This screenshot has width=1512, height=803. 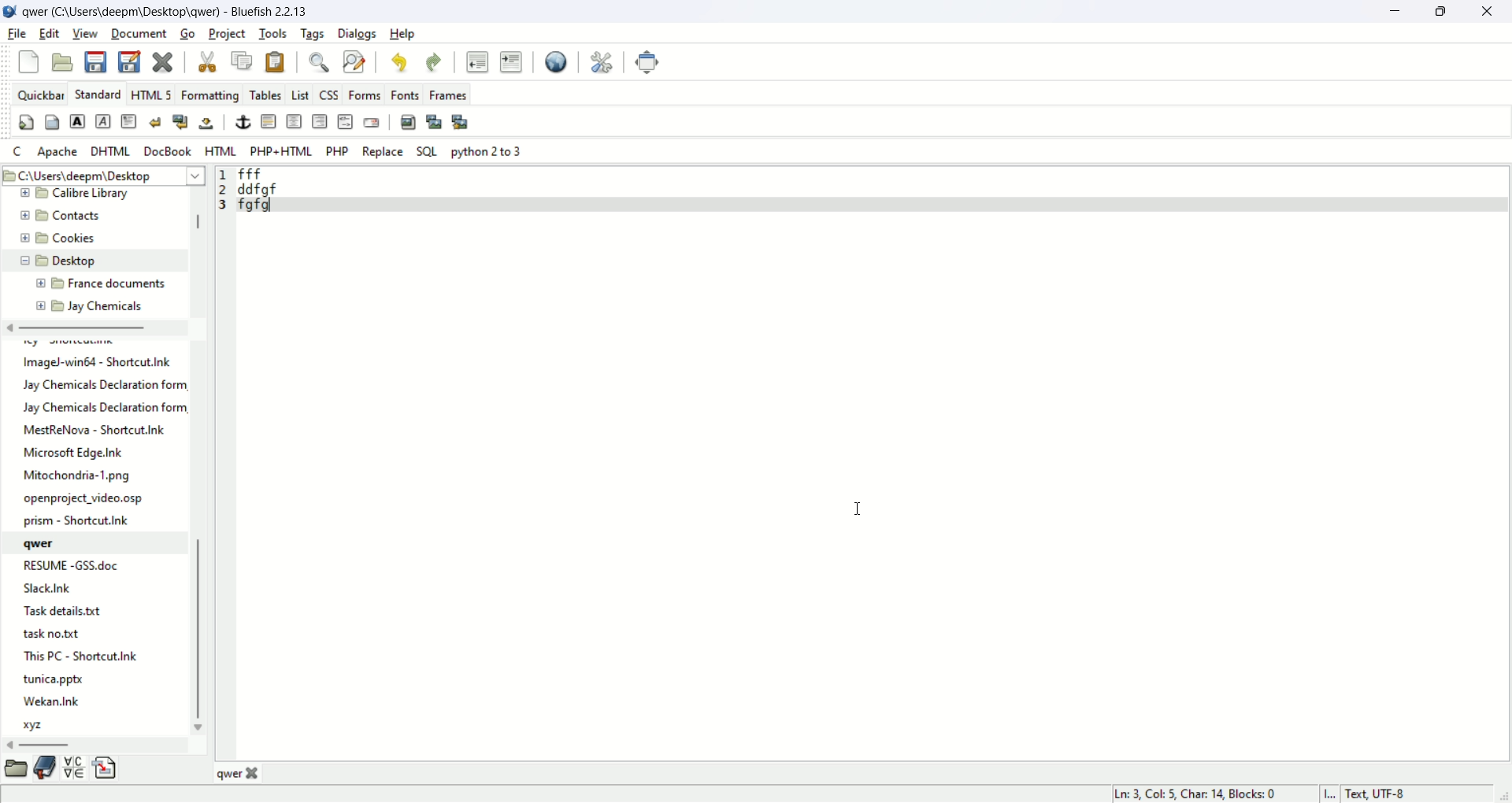 I want to click on C, so click(x=20, y=152).